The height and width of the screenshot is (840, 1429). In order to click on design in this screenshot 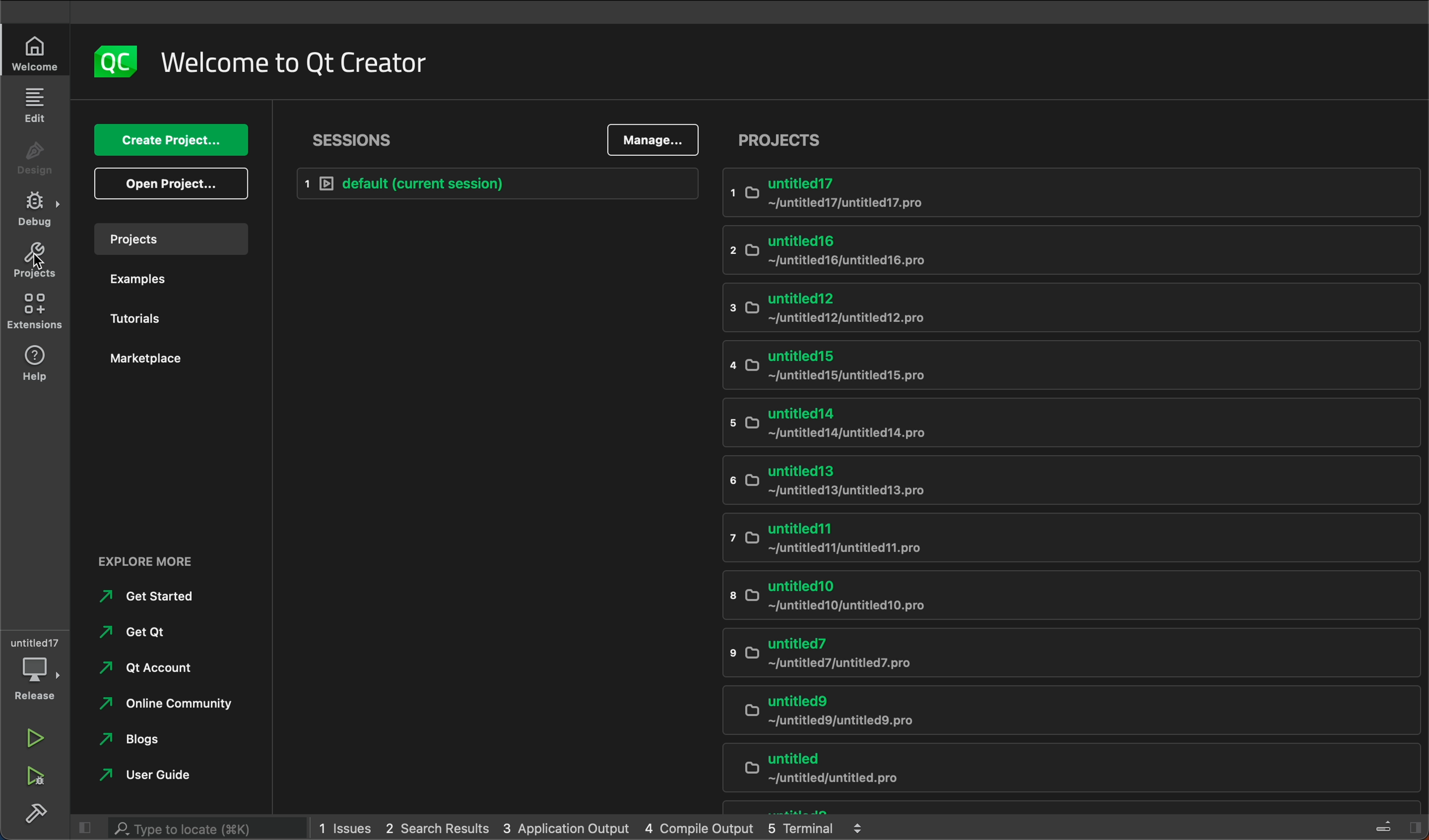, I will do `click(33, 157)`.